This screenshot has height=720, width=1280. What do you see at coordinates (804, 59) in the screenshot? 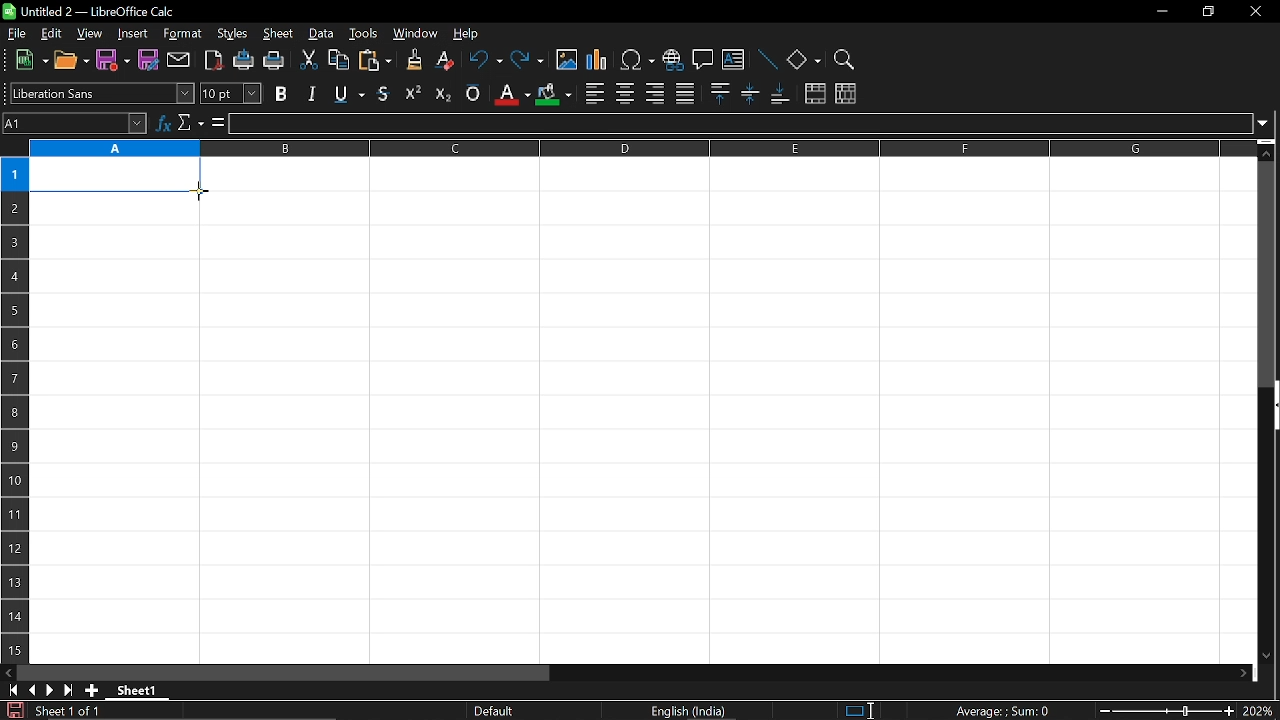
I see `basic shapes` at bounding box center [804, 59].